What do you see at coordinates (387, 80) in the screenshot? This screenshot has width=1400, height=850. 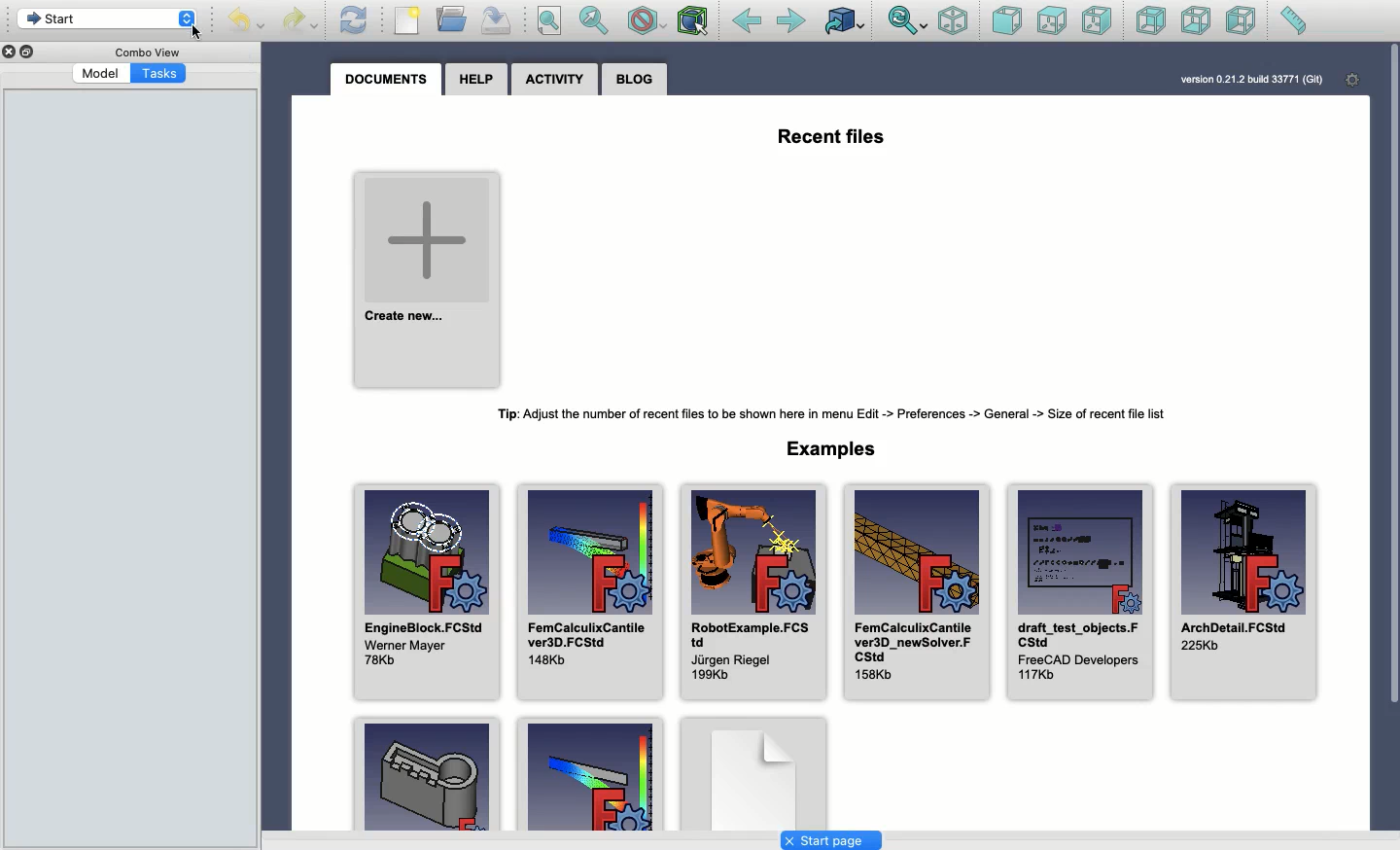 I see `Documents` at bounding box center [387, 80].